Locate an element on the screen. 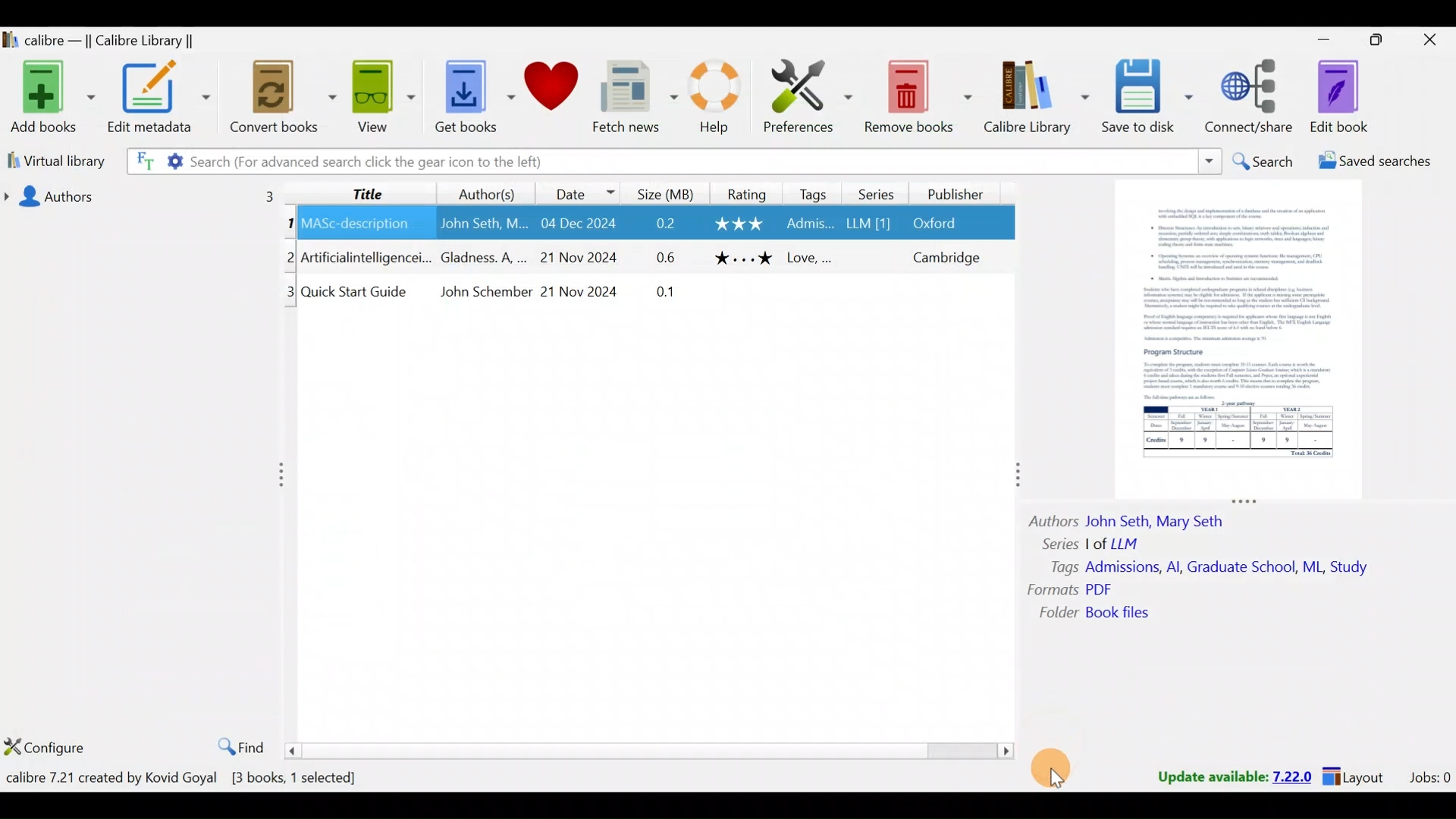 Image resolution: width=1456 pixels, height=819 pixels.  is located at coordinates (368, 258).